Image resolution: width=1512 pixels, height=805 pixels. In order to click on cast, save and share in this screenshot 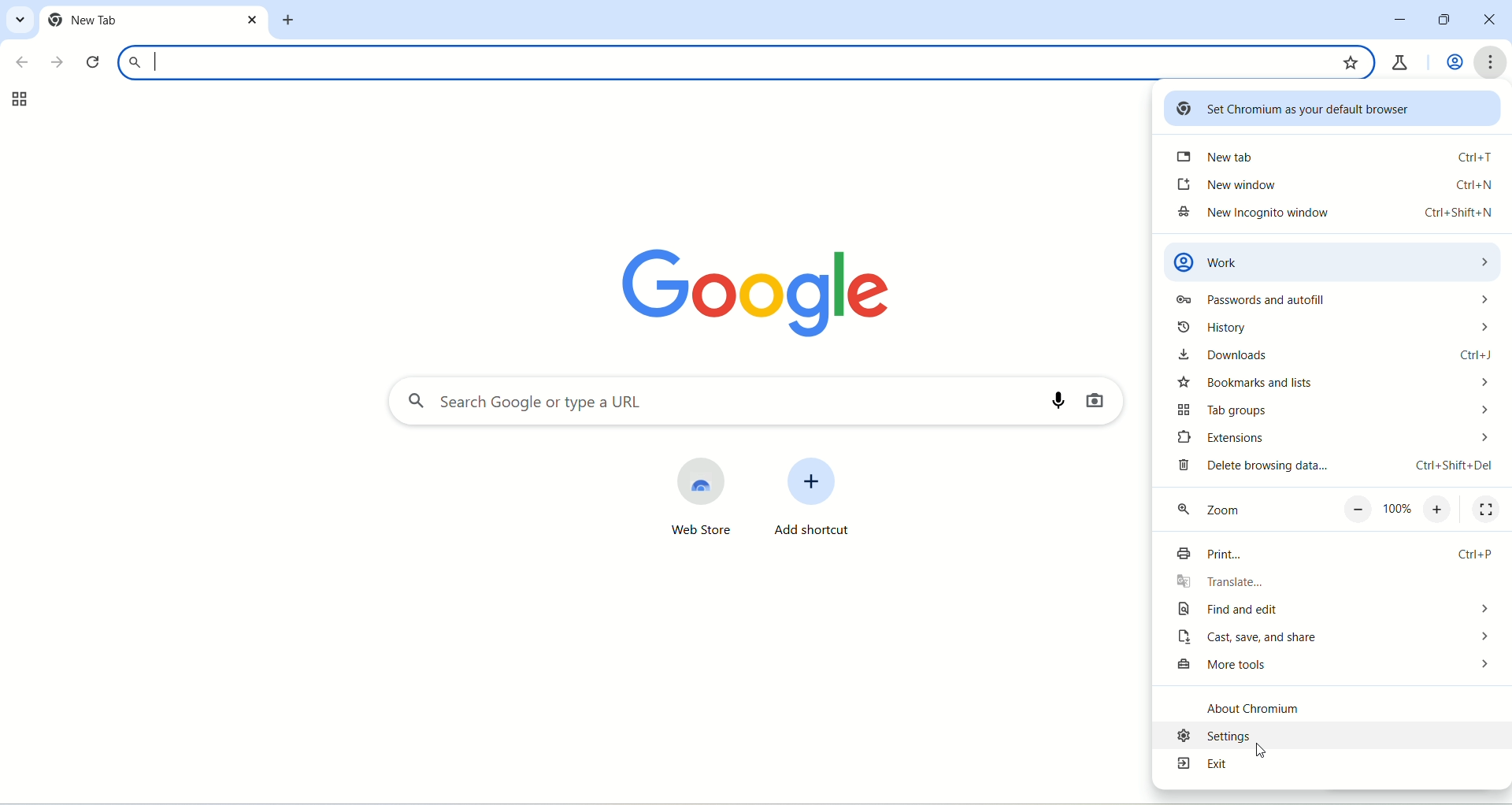, I will do `click(1334, 639)`.